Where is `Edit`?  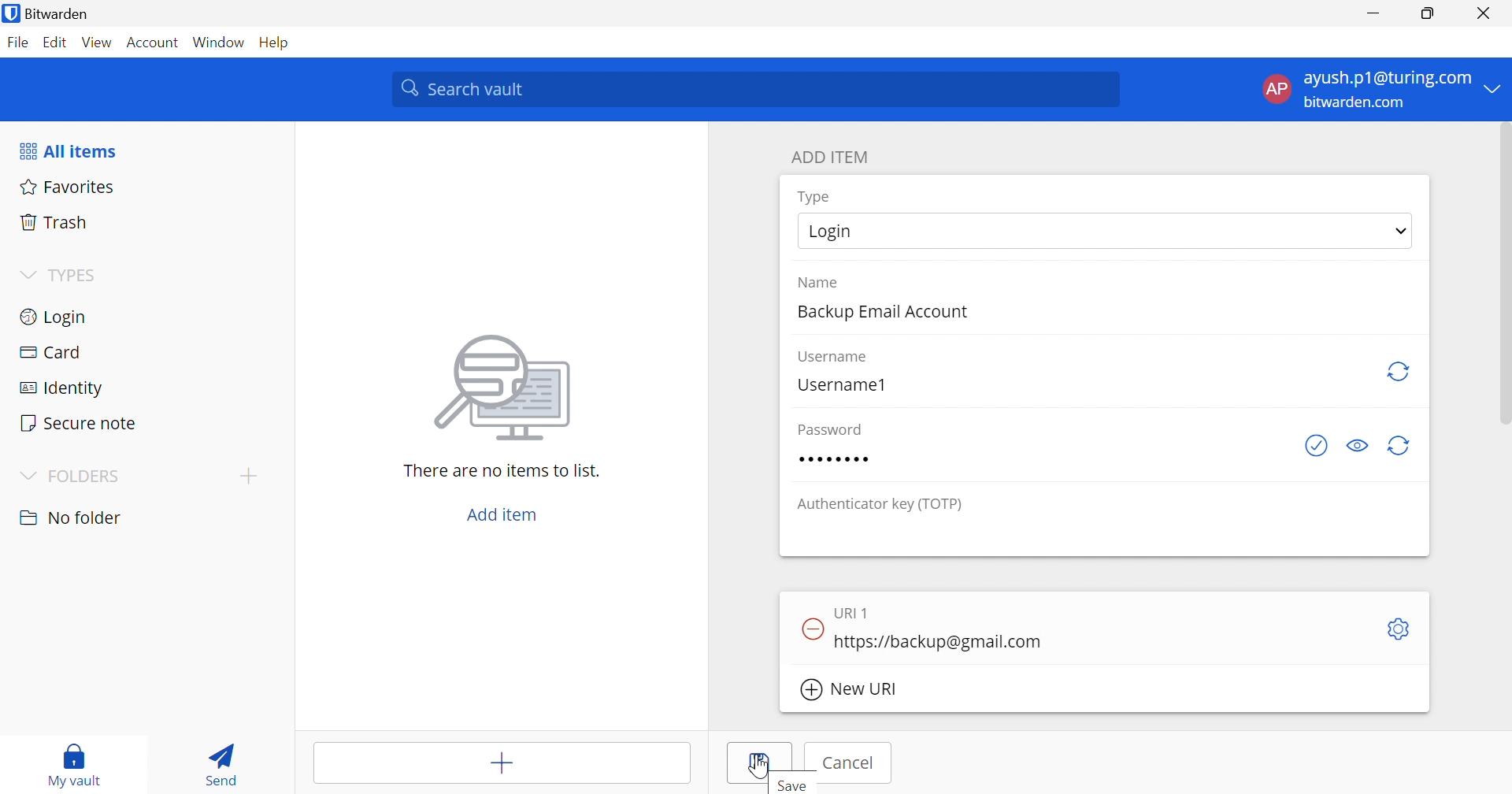
Edit is located at coordinates (55, 42).